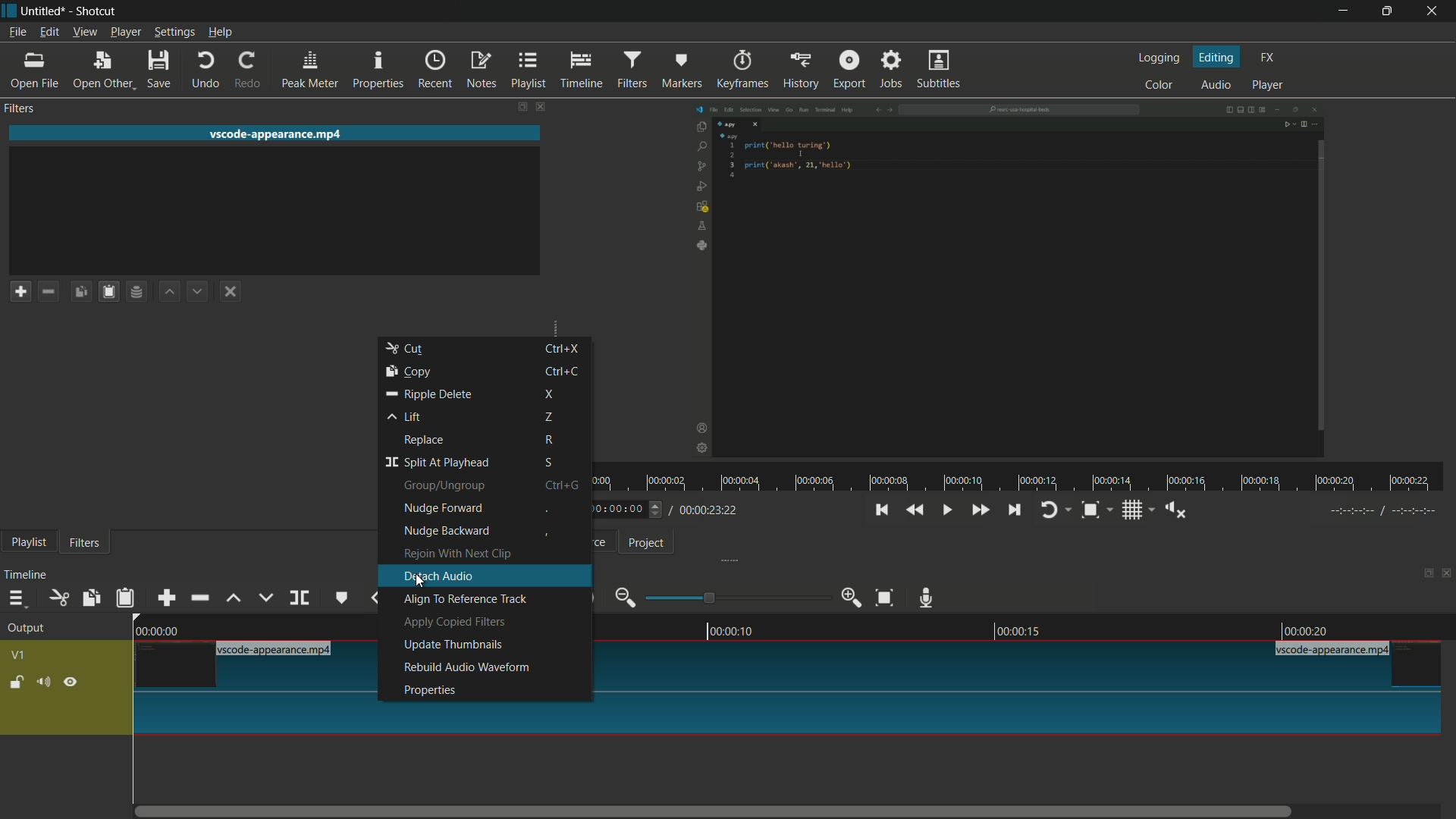 The image size is (1456, 819). What do you see at coordinates (48, 32) in the screenshot?
I see `edit menu` at bounding box center [48, 32].